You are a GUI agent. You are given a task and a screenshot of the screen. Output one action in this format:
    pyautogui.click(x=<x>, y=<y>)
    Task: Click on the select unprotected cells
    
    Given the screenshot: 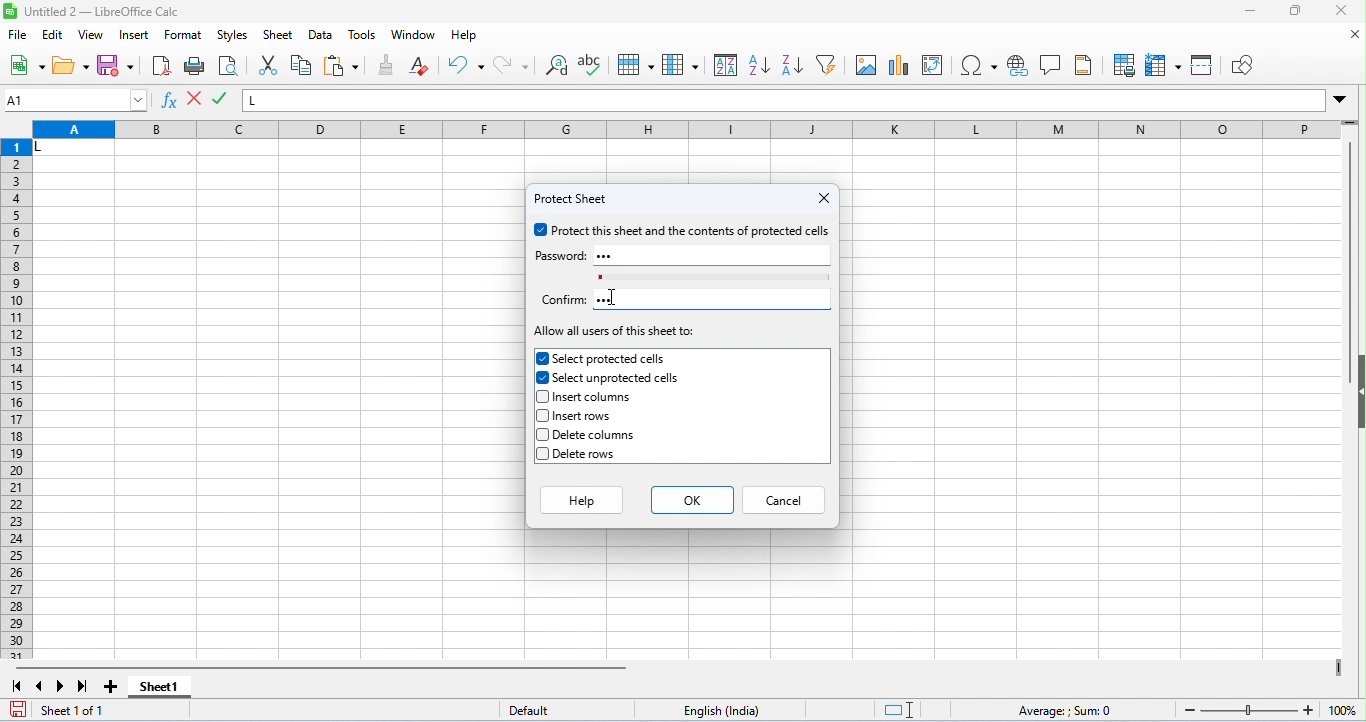 What is the action you would take?
    pyautogui.click(x=610, y=378)
    